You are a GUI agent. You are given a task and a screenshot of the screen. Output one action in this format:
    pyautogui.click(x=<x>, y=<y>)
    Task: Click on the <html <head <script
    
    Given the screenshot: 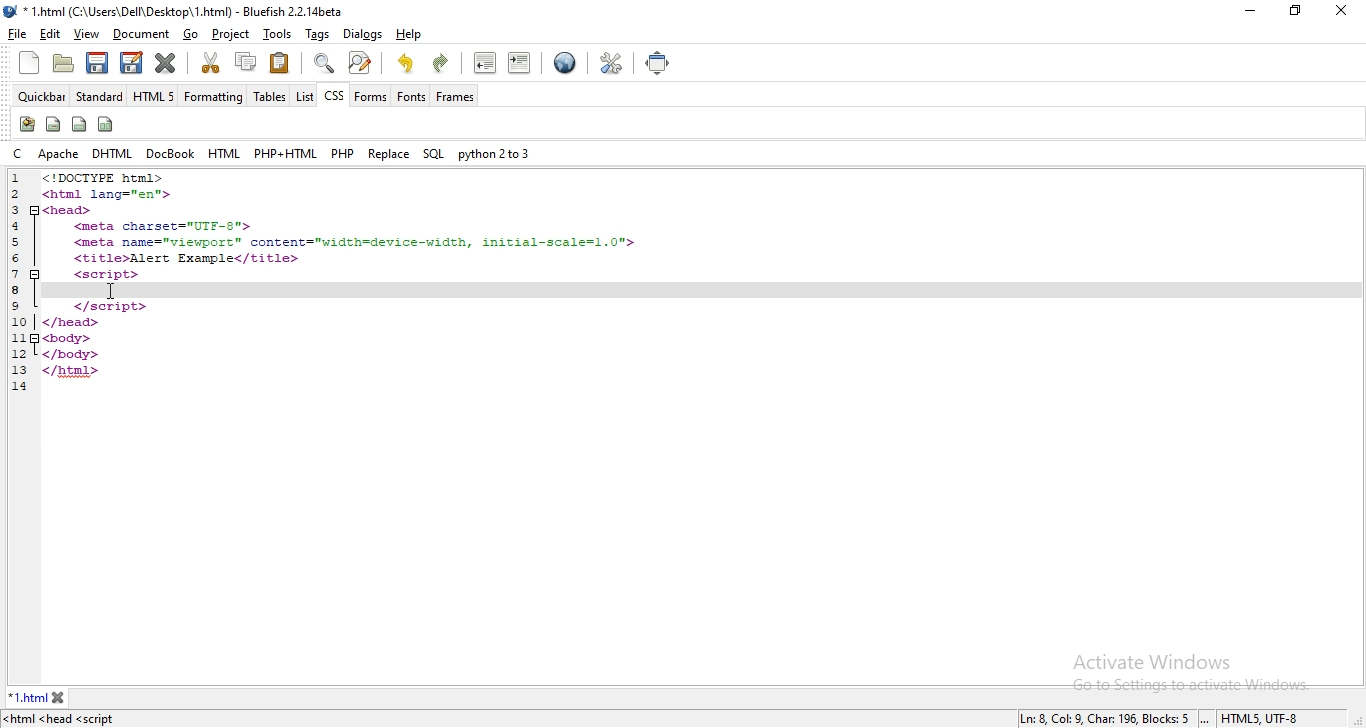 What is the action you would take?
    pyautogui.click(x=64, y=719)
    